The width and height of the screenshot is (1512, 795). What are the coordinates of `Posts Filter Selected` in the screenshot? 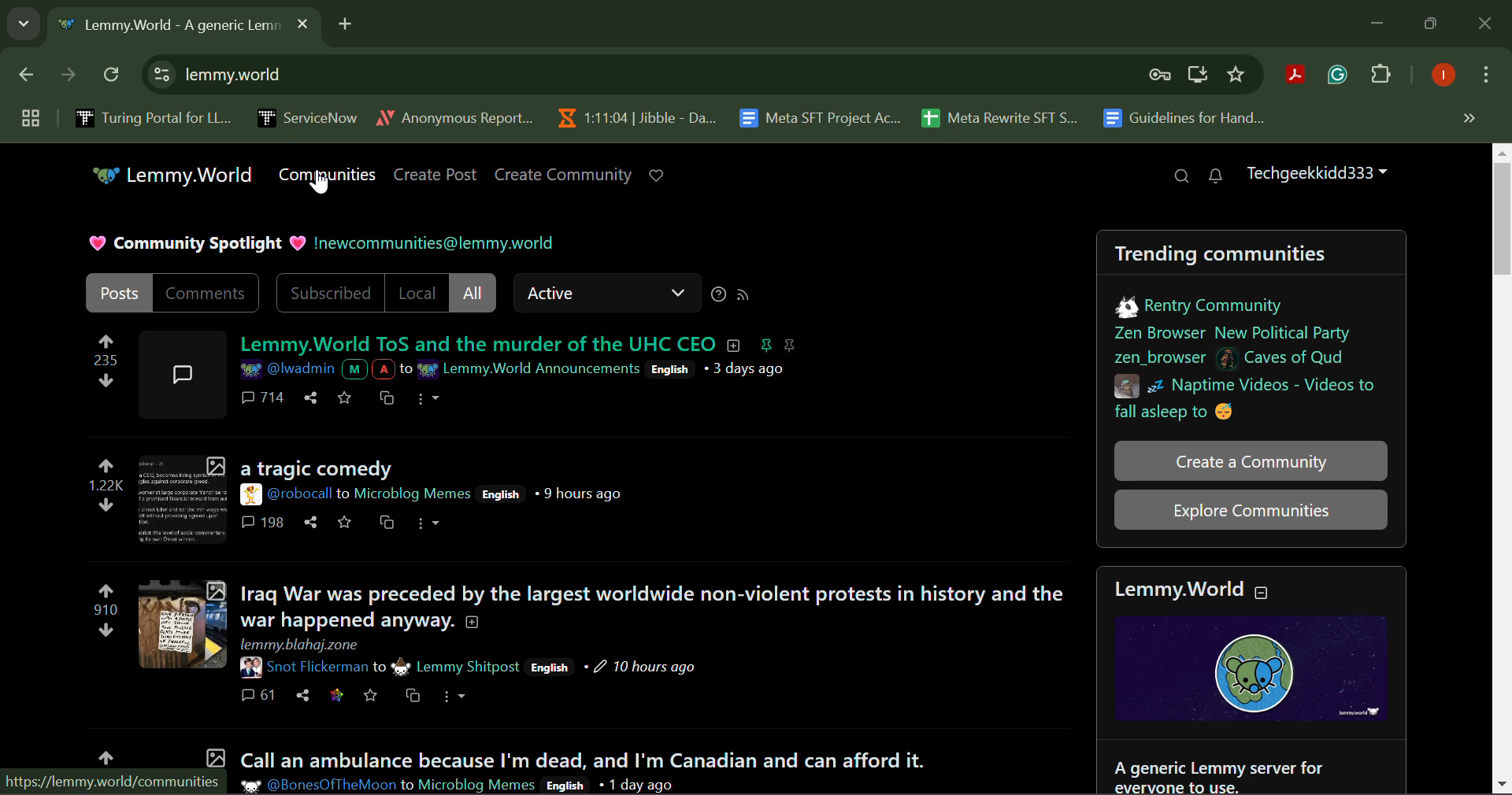 It's located at (120, 293).